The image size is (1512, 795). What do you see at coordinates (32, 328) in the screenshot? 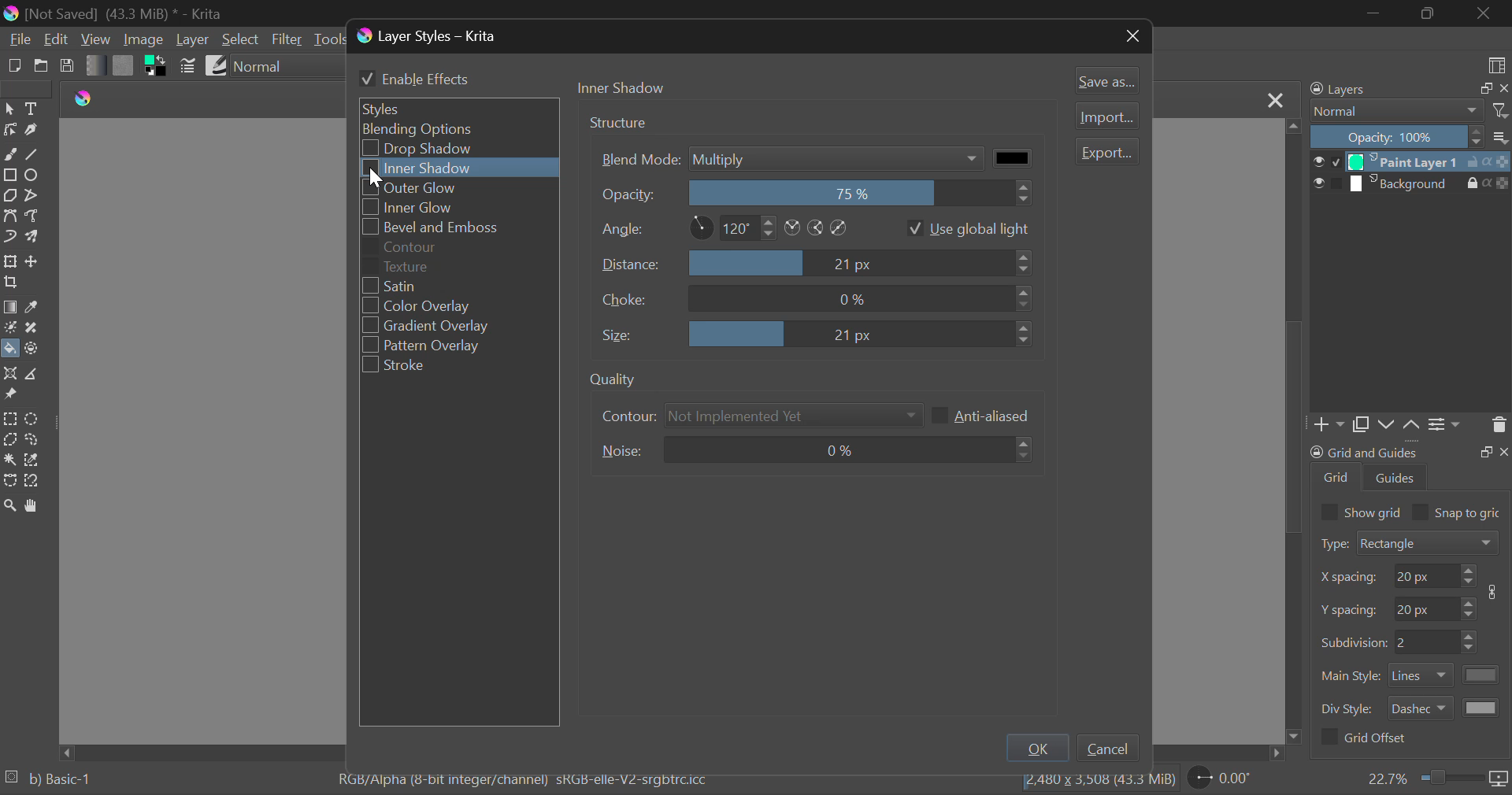
I see `Smart Patch Tool` at bounding box center [32, 328].